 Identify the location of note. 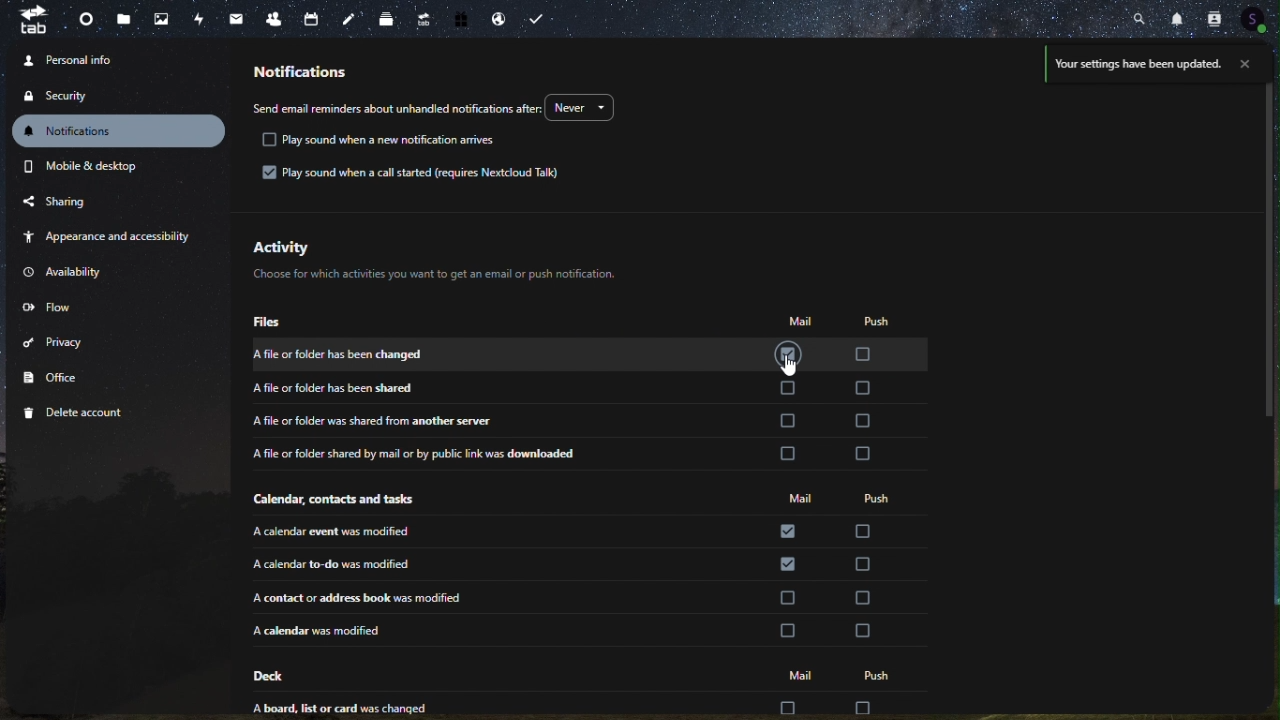
(351, 17).